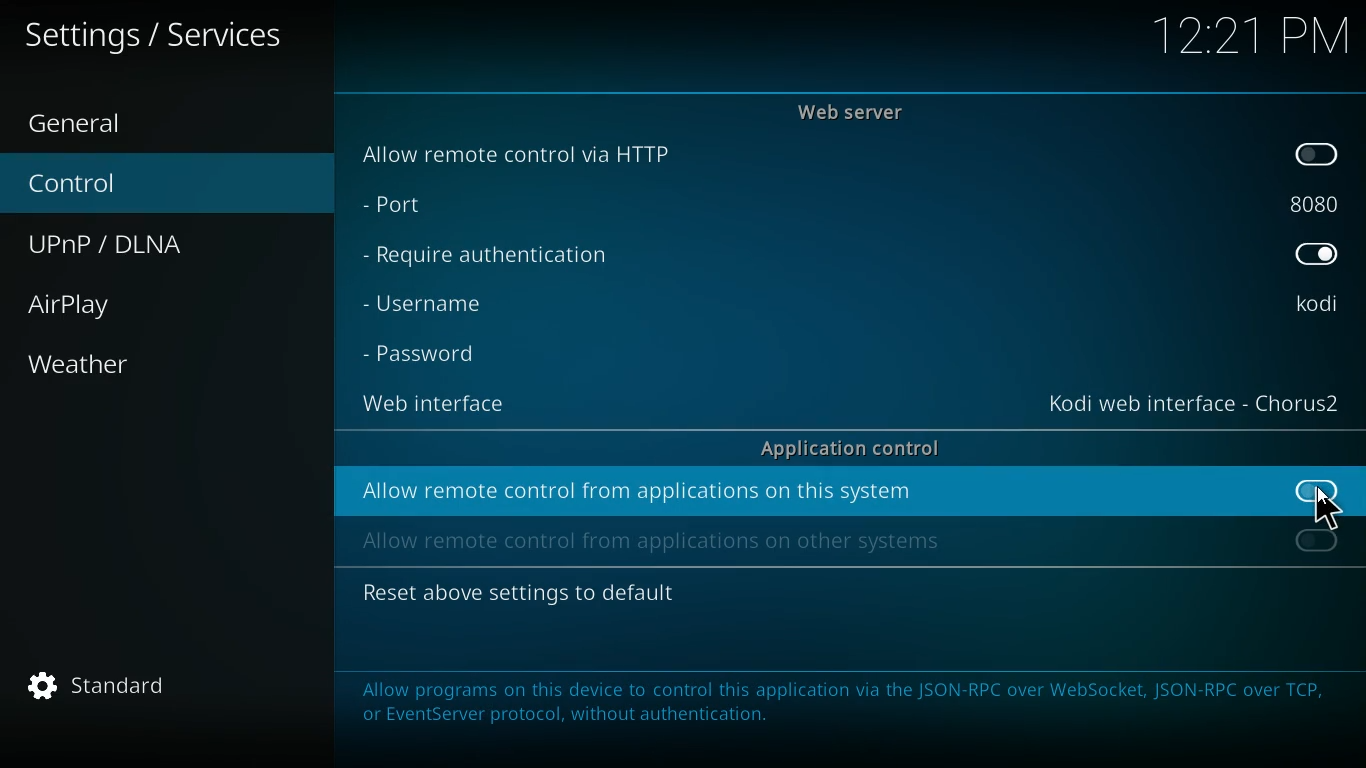 The image size is (1366, 768). Describe the element at coordinates (161, 245) in the screenshot. I see `upnp / dlna` at that location.